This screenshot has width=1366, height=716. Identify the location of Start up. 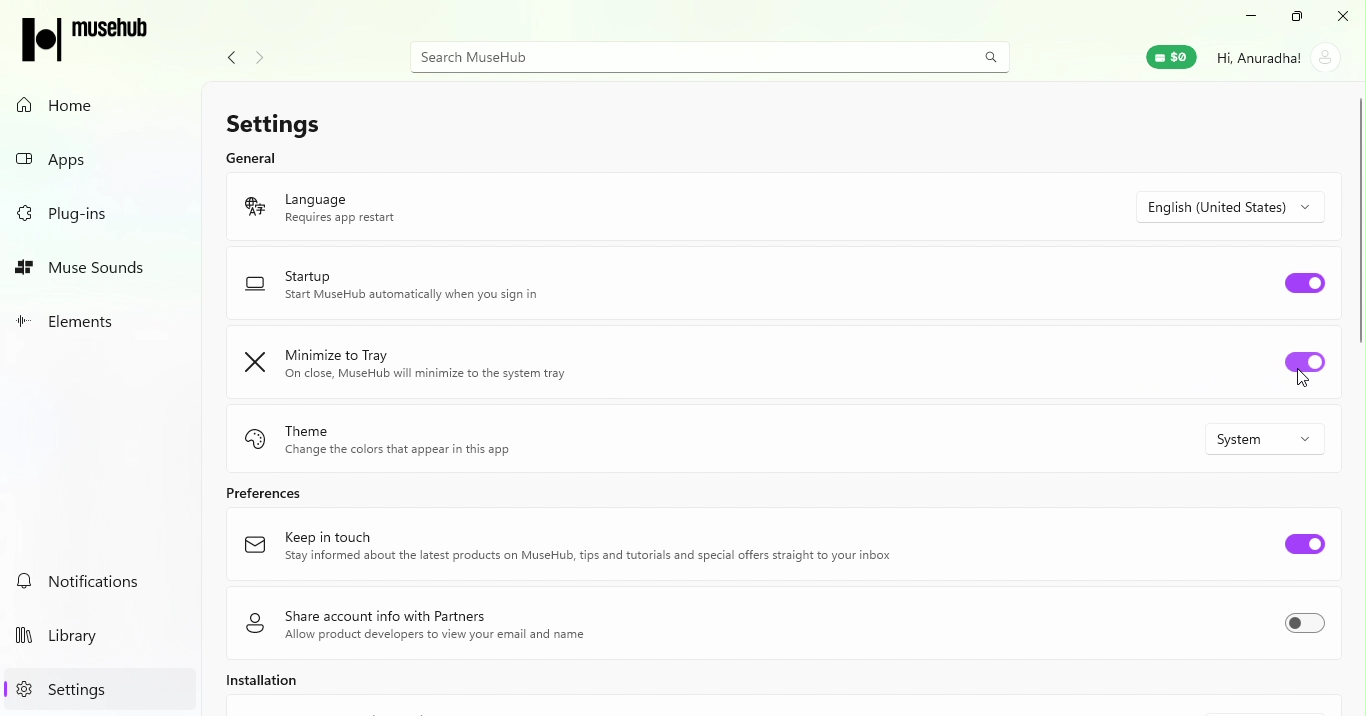
(428, 282).